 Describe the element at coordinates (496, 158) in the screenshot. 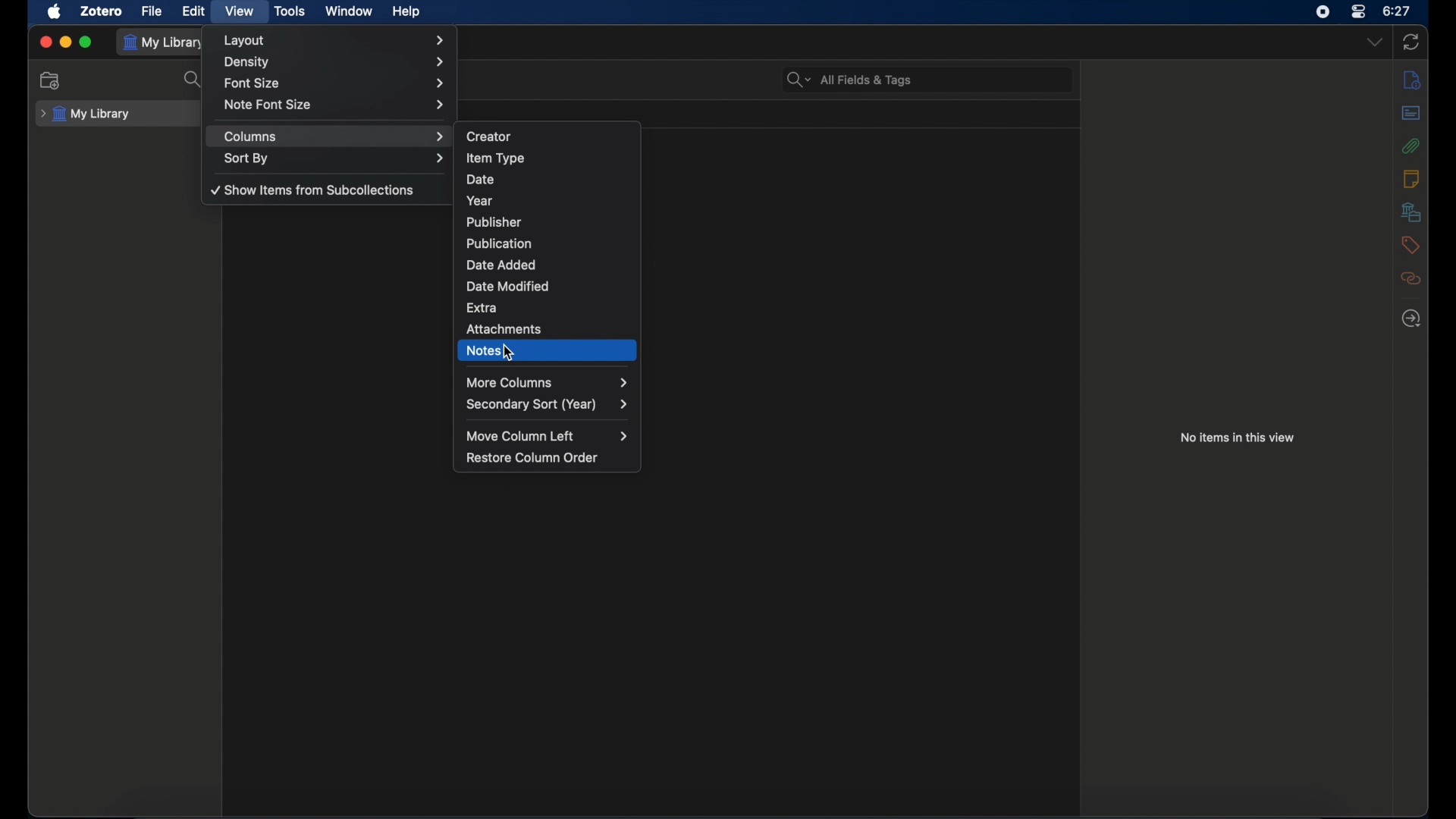

I see `item type` at that location.